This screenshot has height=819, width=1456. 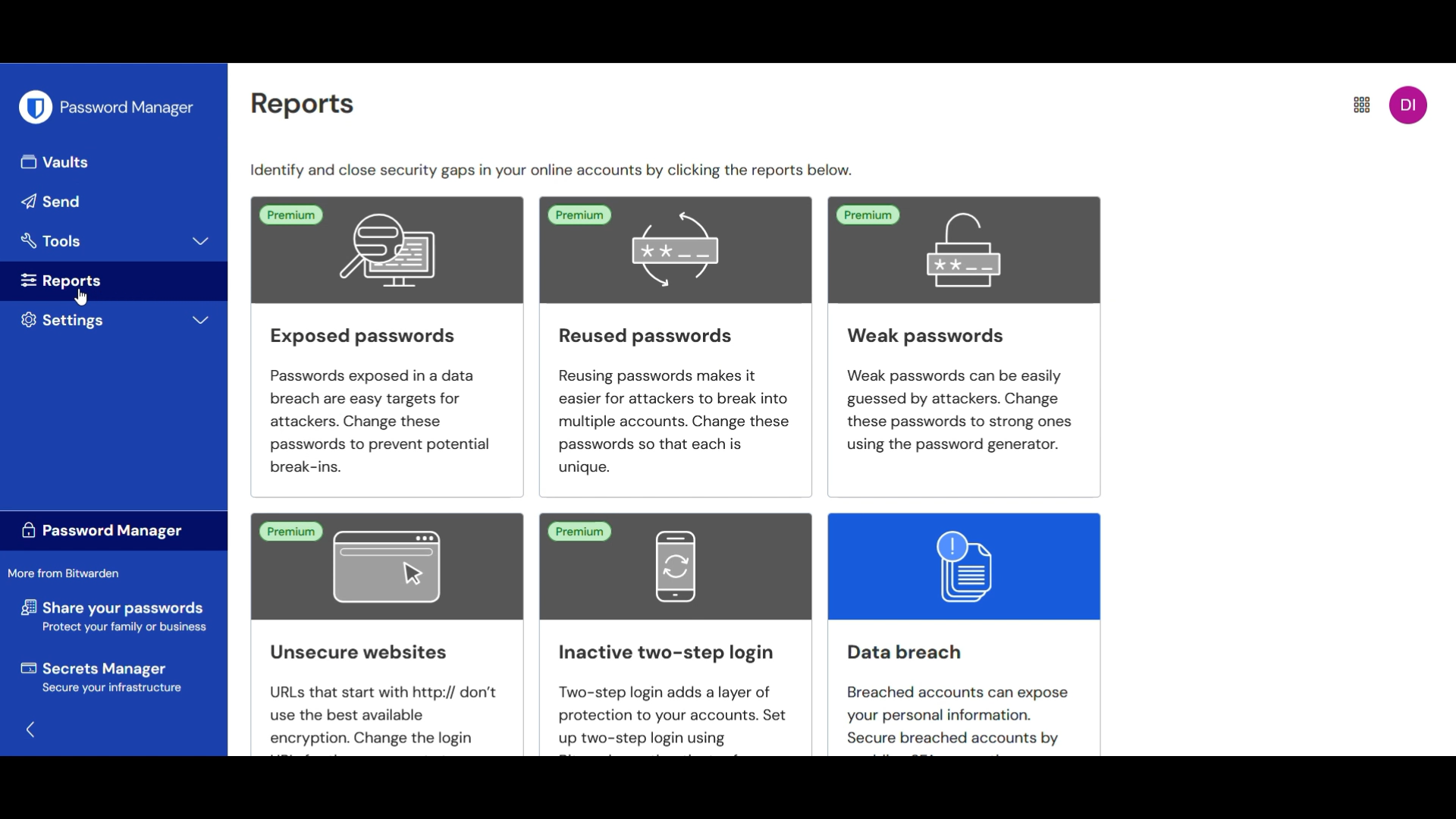 I want to click on share your password, so click(x=116, y=614).